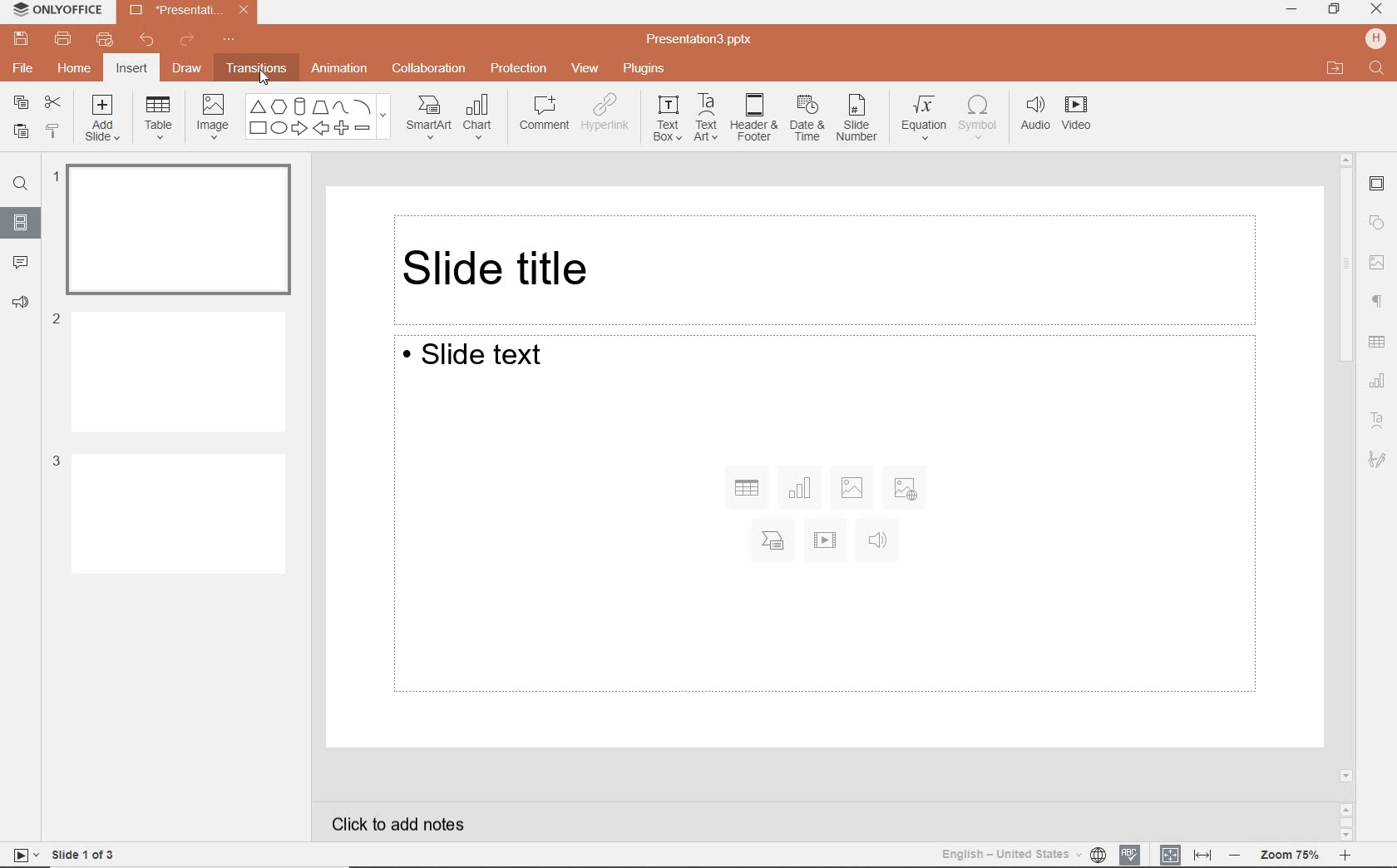 The height and width of the screenshot is (868, 1397). I want to click on SLIDE NUMBER, so click(856, 121).